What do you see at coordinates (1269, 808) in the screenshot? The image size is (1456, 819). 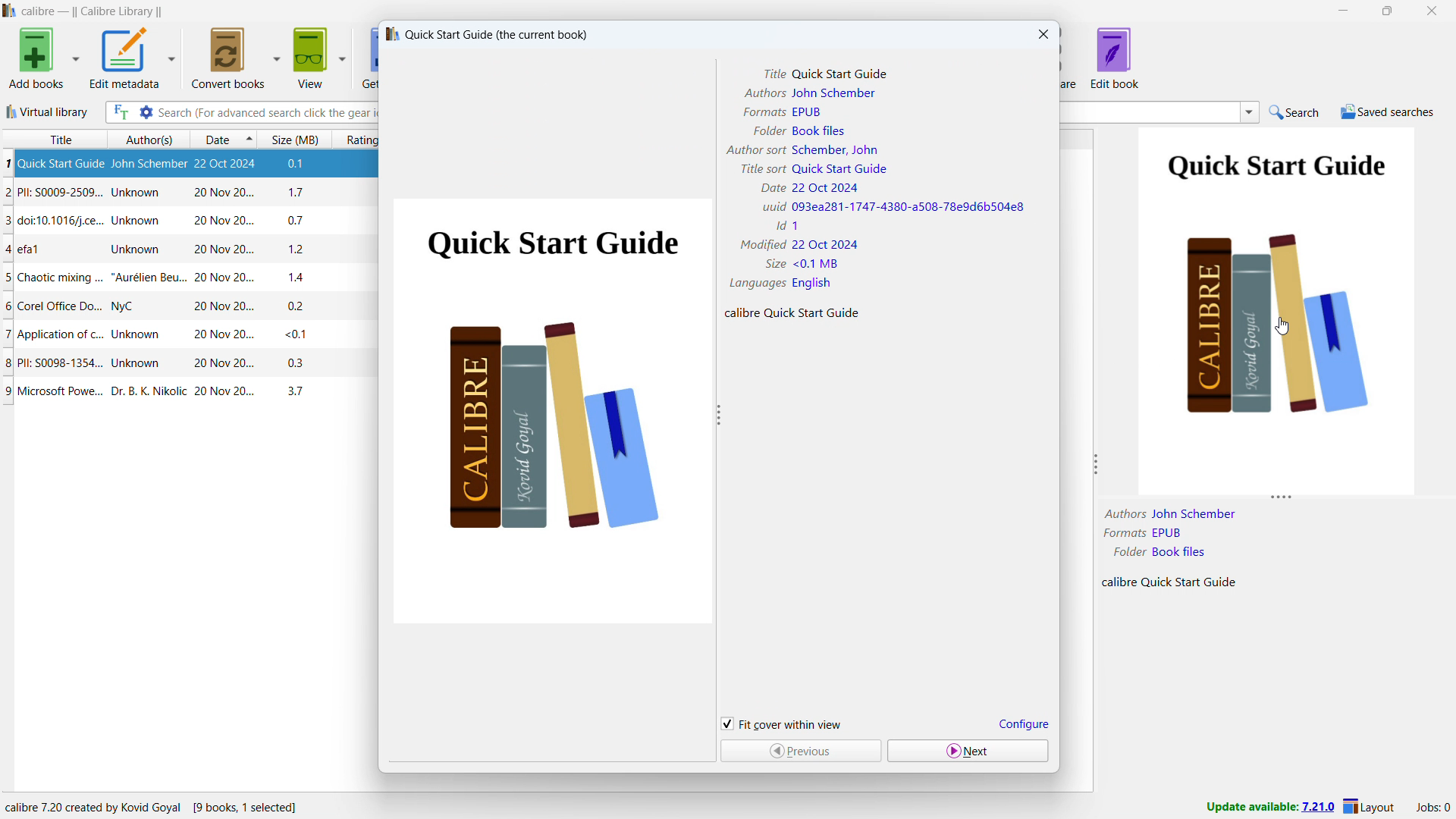 I see `update available ` at bounding box center [1269, 808].